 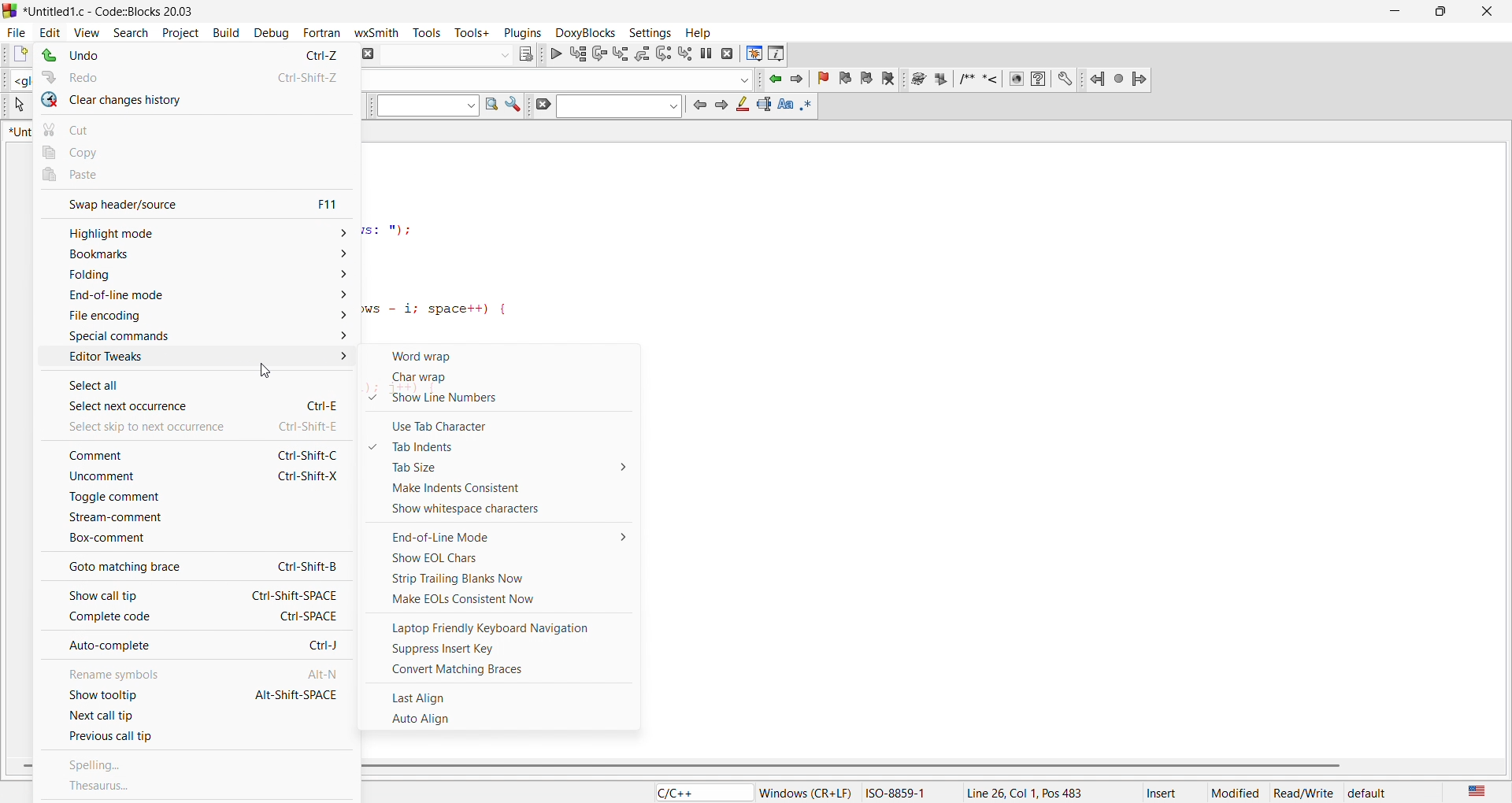 What do you see at coordinates (702, 32) in the screenshot?
I see `help` at bounding box center [702, 32].